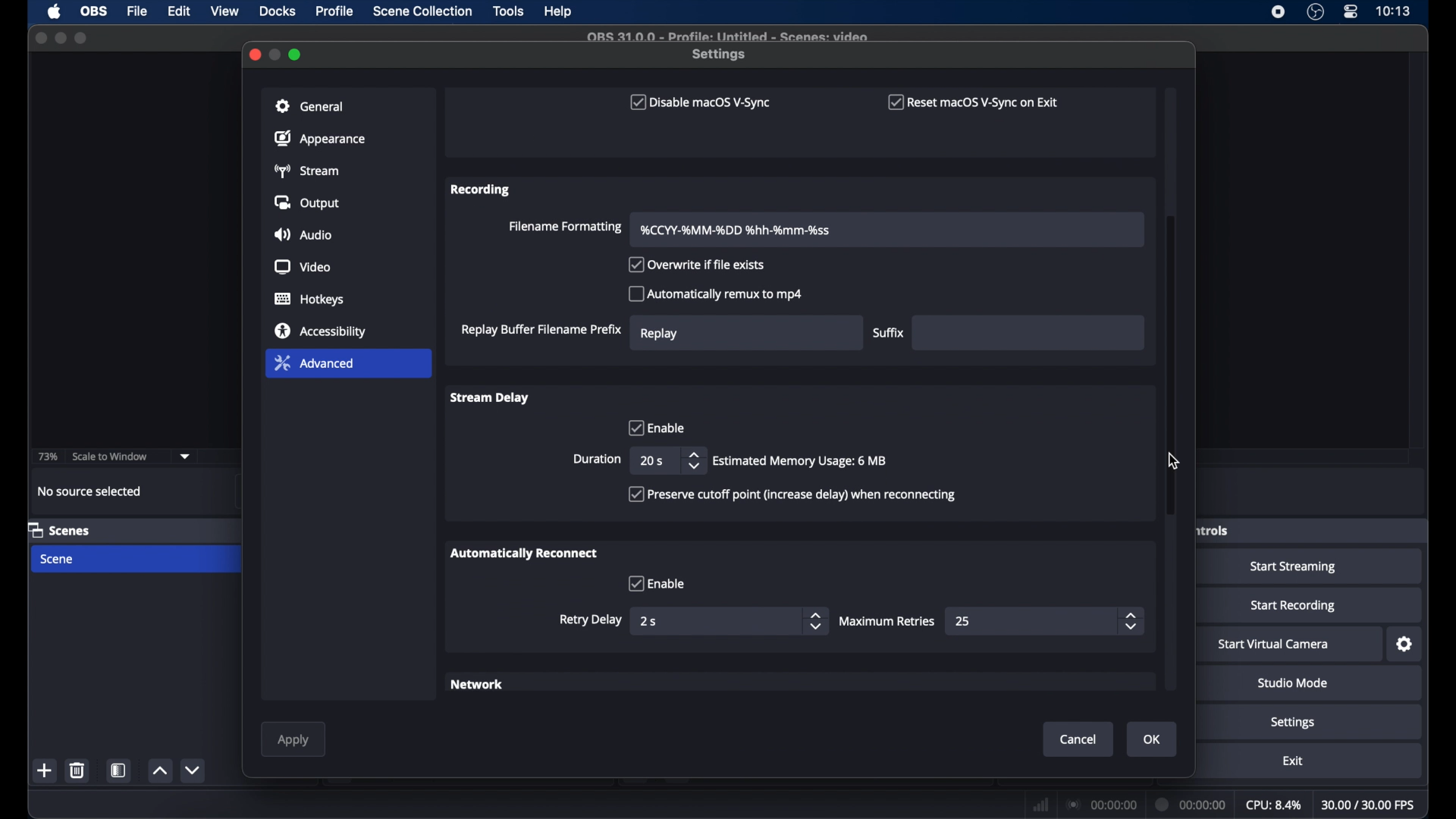  What do you see at coordinates (226, 11) in the screenshot?
I see `view` at bounding box center [226, 11].